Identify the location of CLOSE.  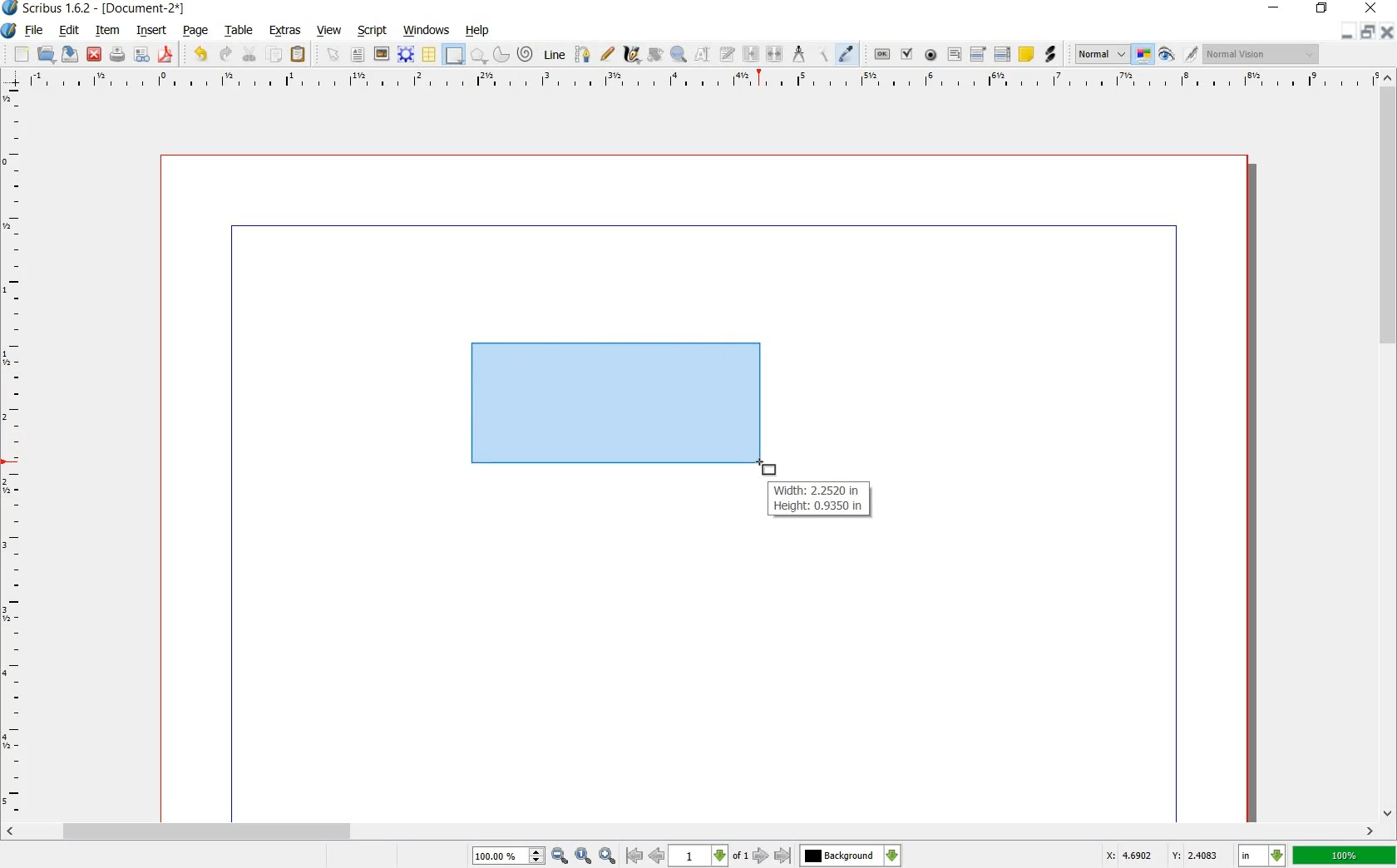
(1389, 32).